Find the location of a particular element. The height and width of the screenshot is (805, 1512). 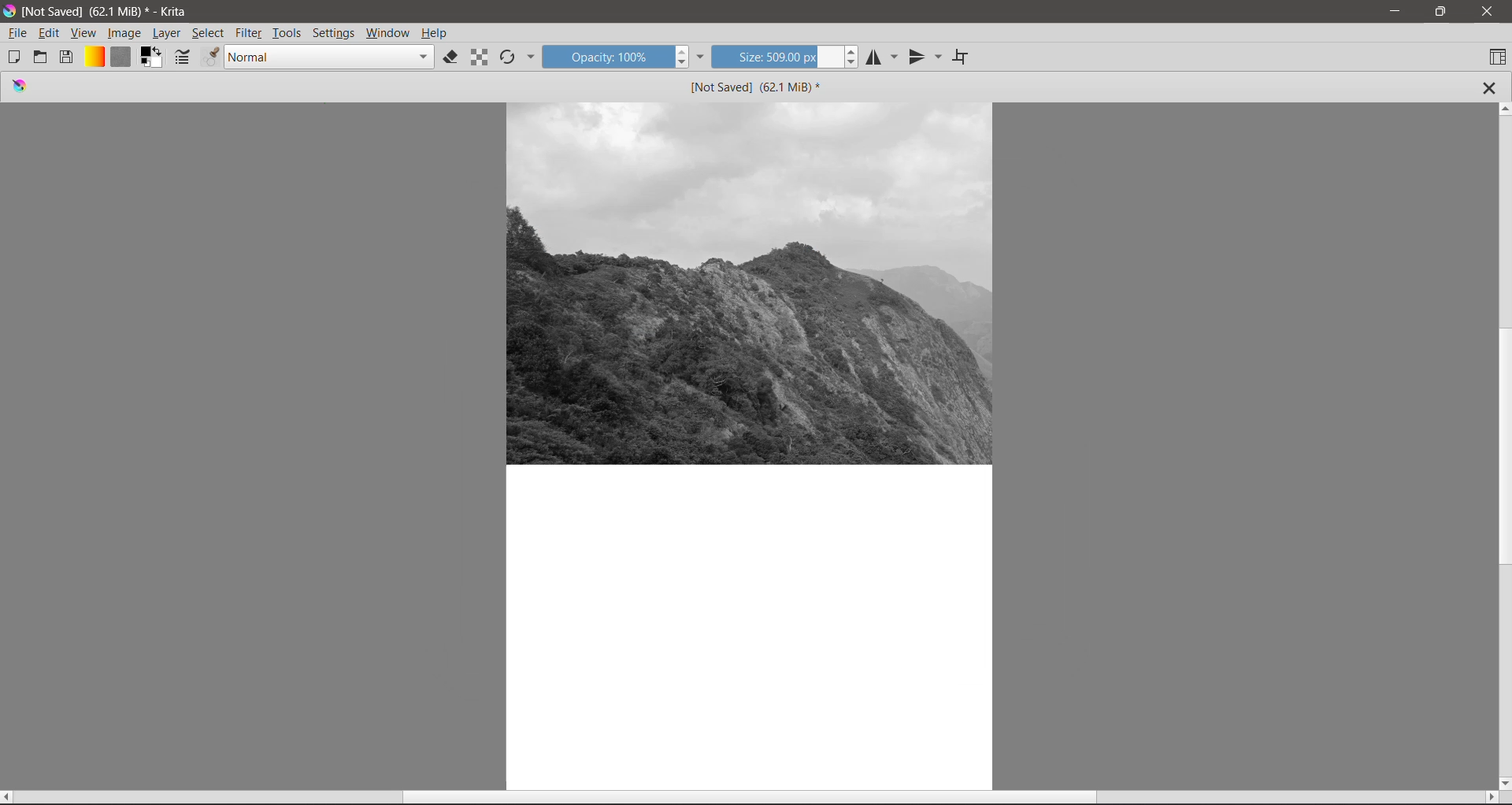

cursor is located at coordinates (181, 46).